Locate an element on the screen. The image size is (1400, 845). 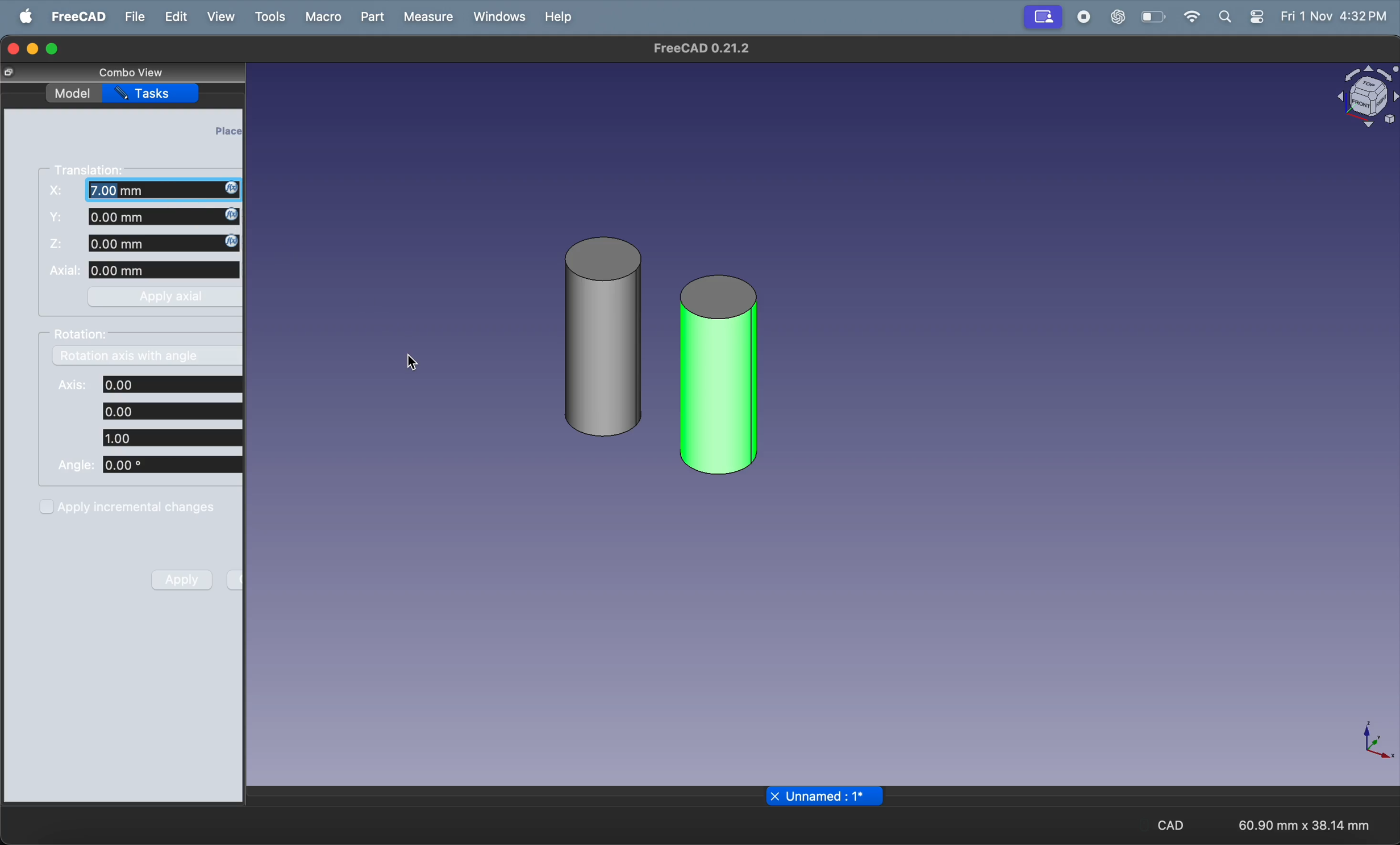
minimize is located at coordinates (34, 49).